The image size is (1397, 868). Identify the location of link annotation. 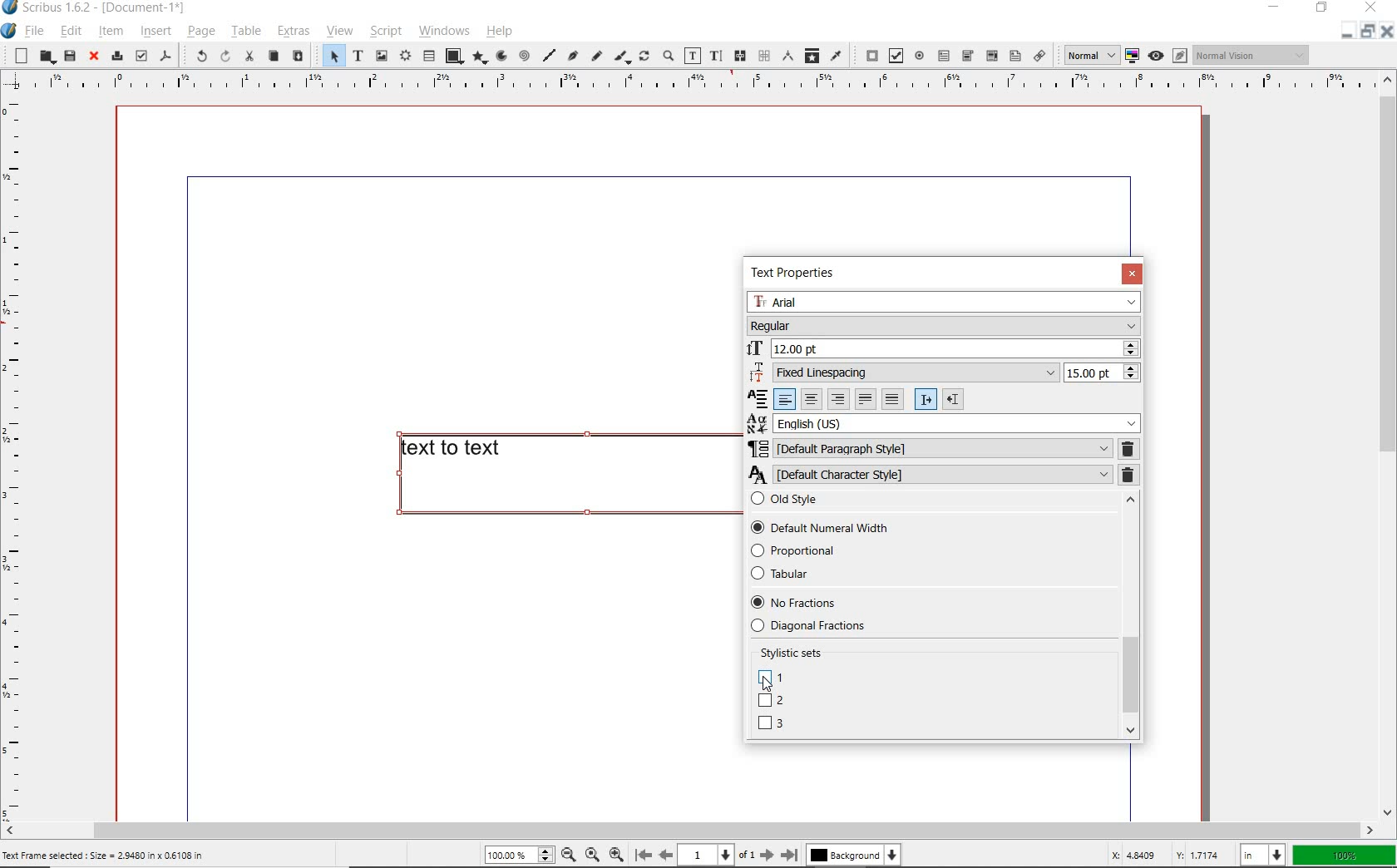
(1040, 55).